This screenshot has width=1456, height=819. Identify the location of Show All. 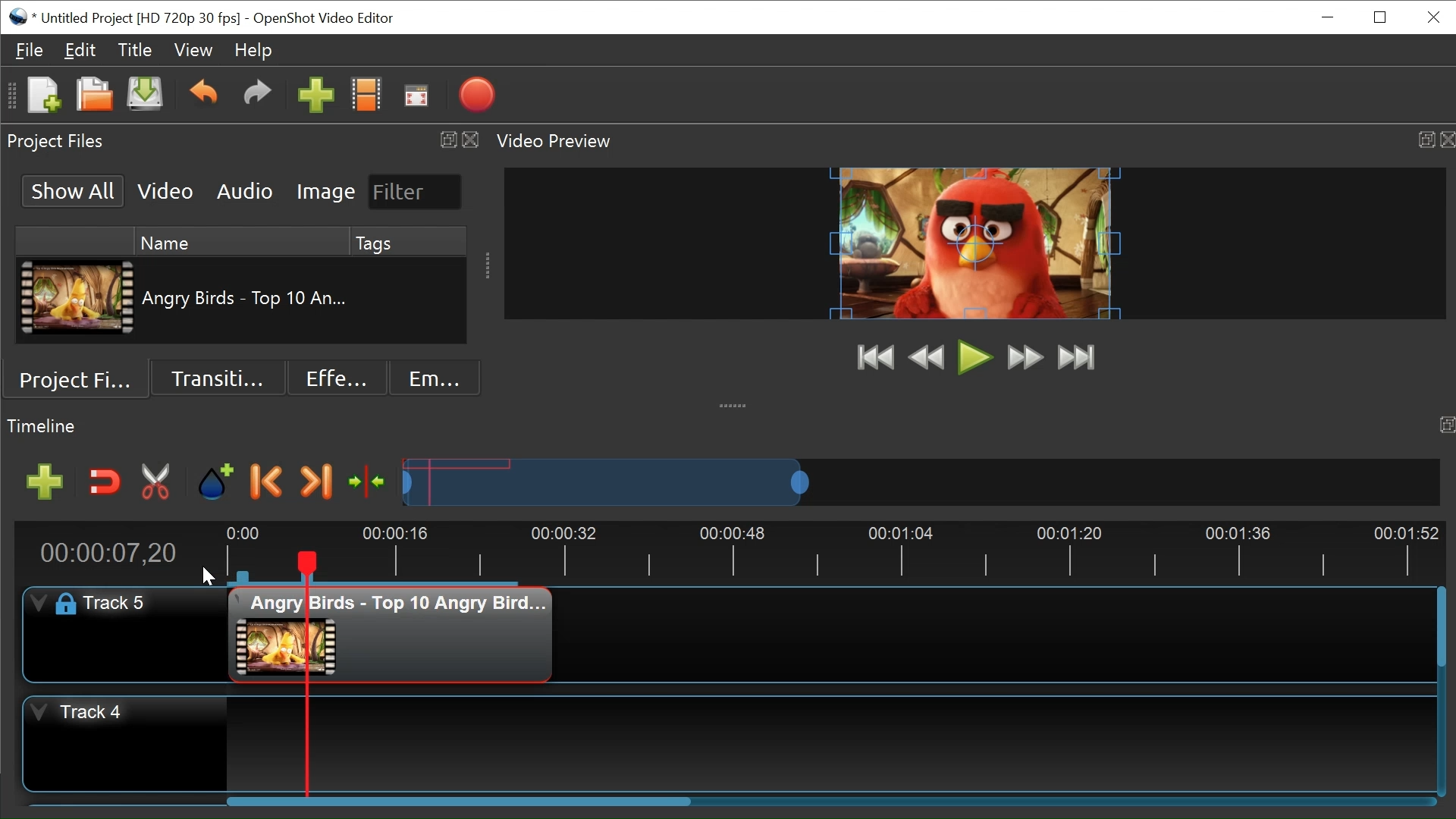
(75, 190).